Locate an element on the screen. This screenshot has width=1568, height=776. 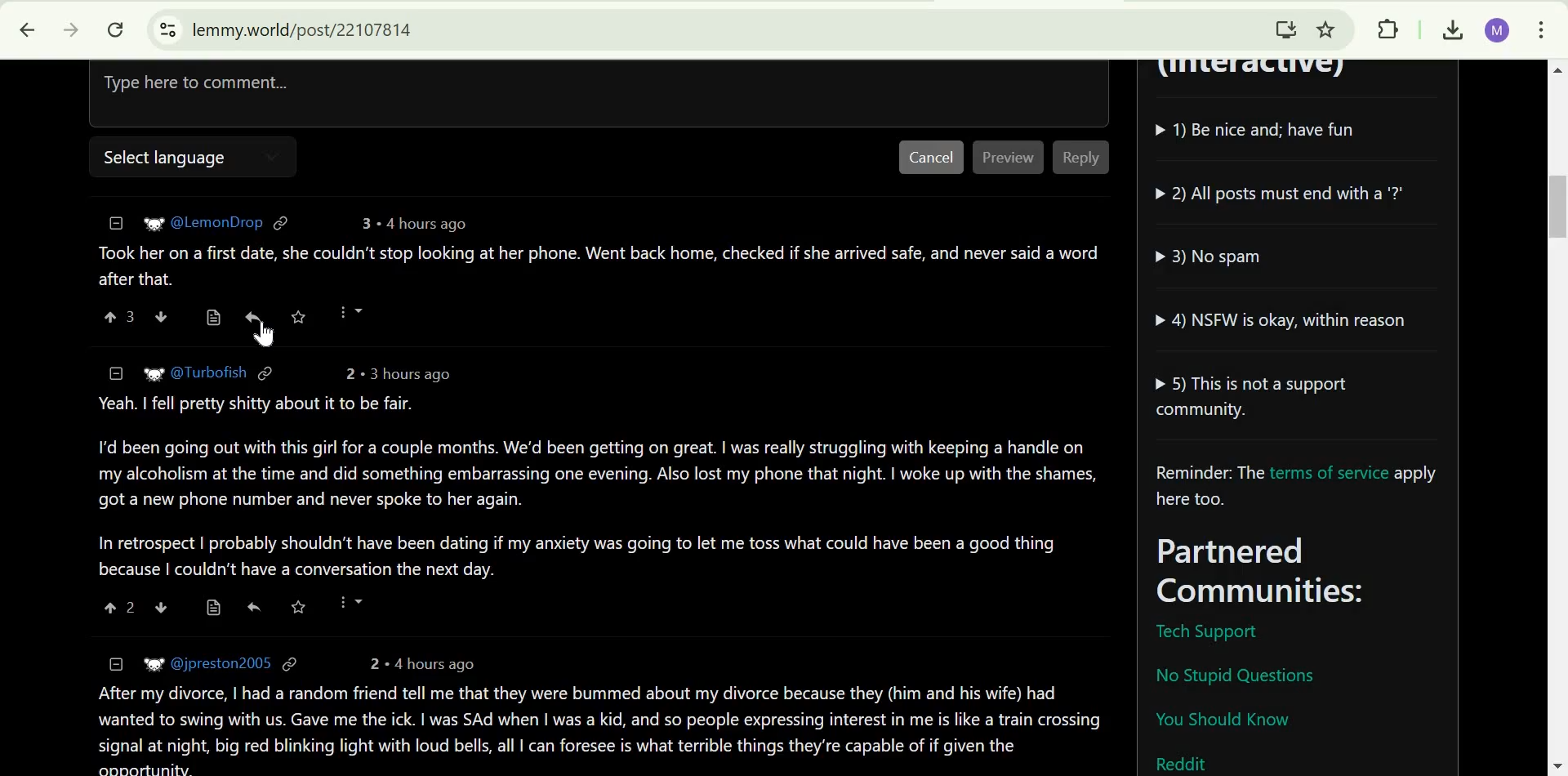
reply is located at coordinates (255, 606).